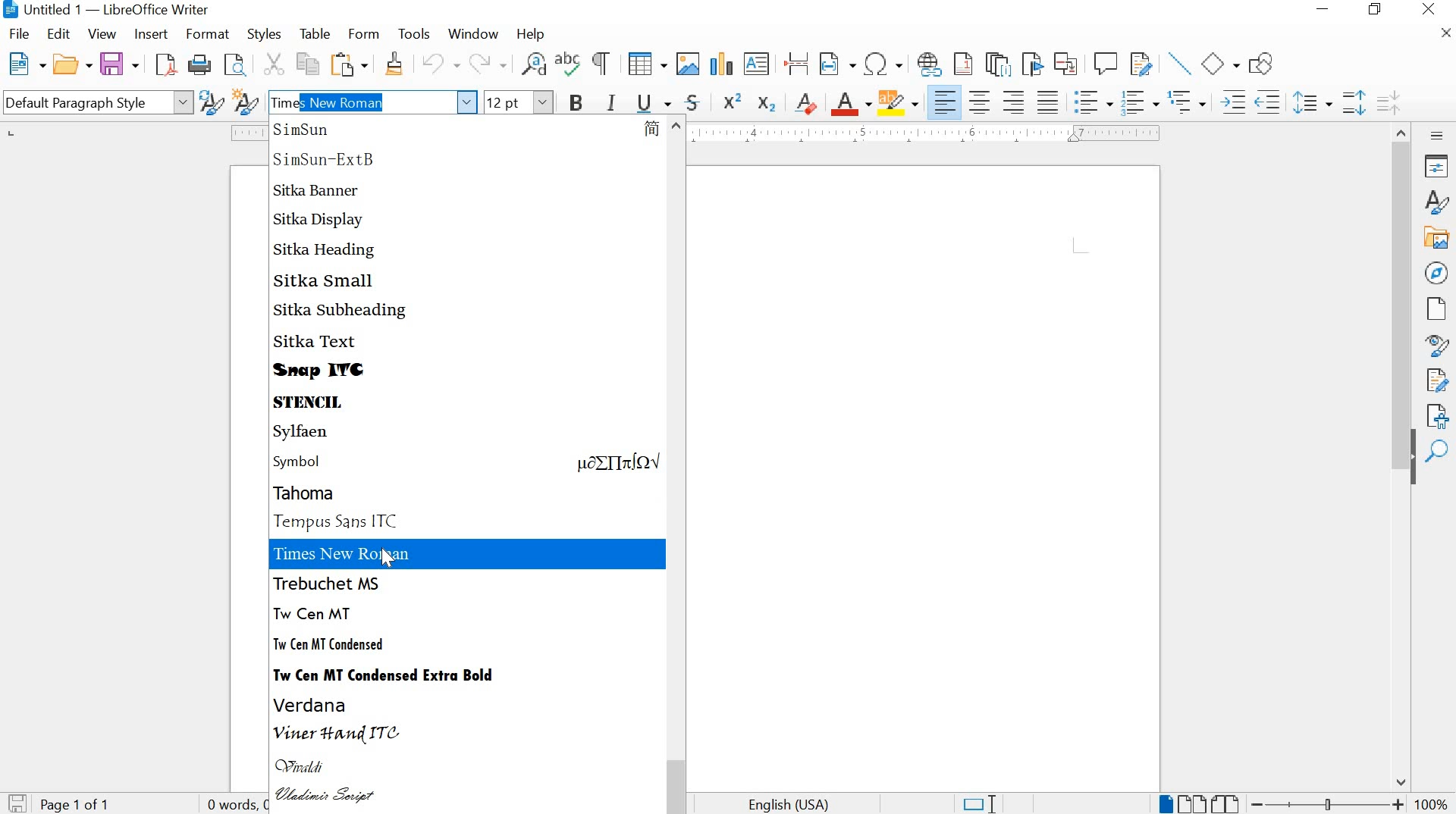 This screenshot has height=814, width=1456. Describe the element at coordinates (1354, 101) in the screenshot. I see `INCREASE PARAGRAPH SPACING` at that location.